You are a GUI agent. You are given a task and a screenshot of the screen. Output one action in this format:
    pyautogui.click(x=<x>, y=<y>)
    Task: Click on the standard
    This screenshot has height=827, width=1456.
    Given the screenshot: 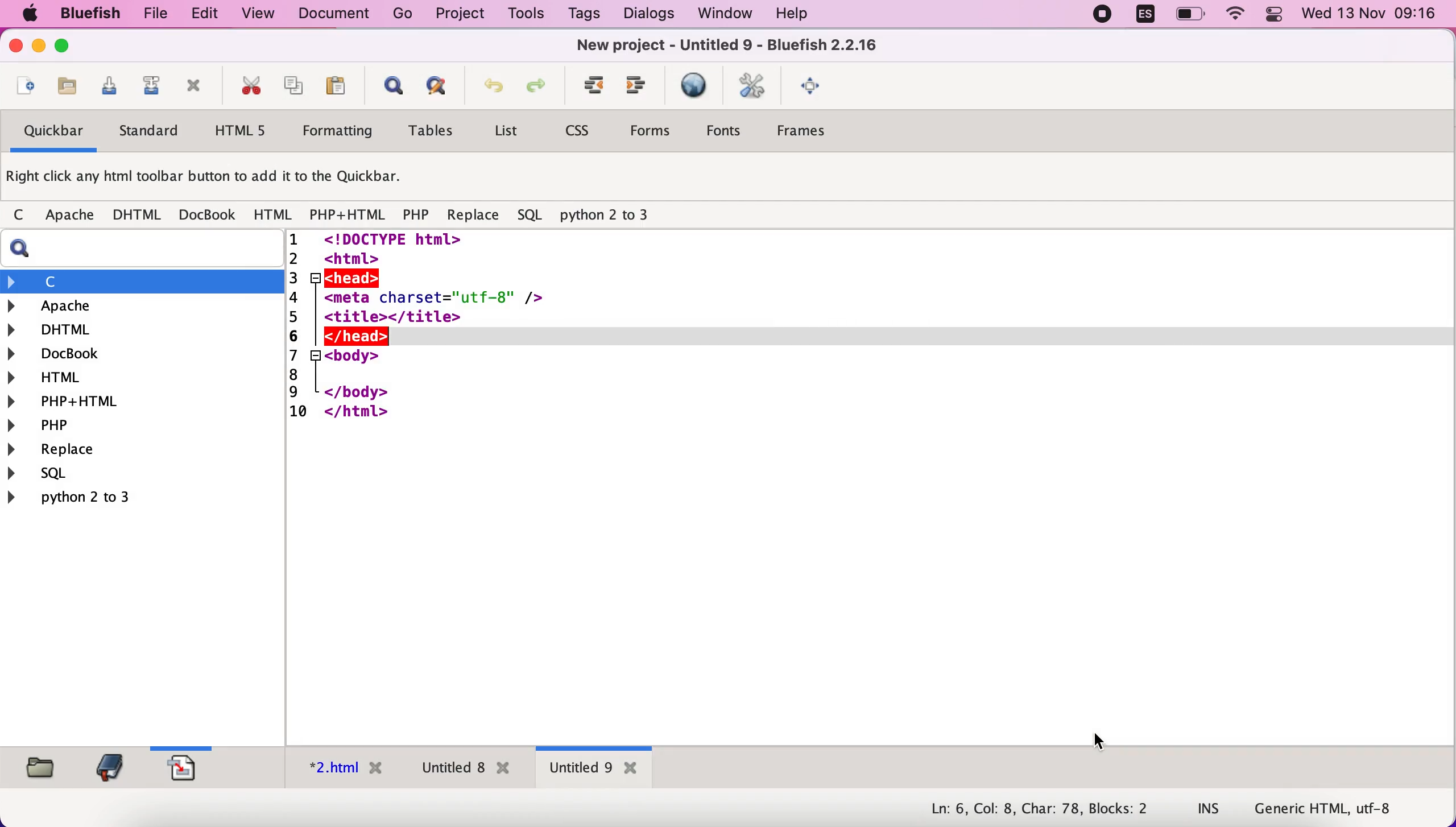 What is the action you would take?
    pyautogui.click(x=150, y=134)
    